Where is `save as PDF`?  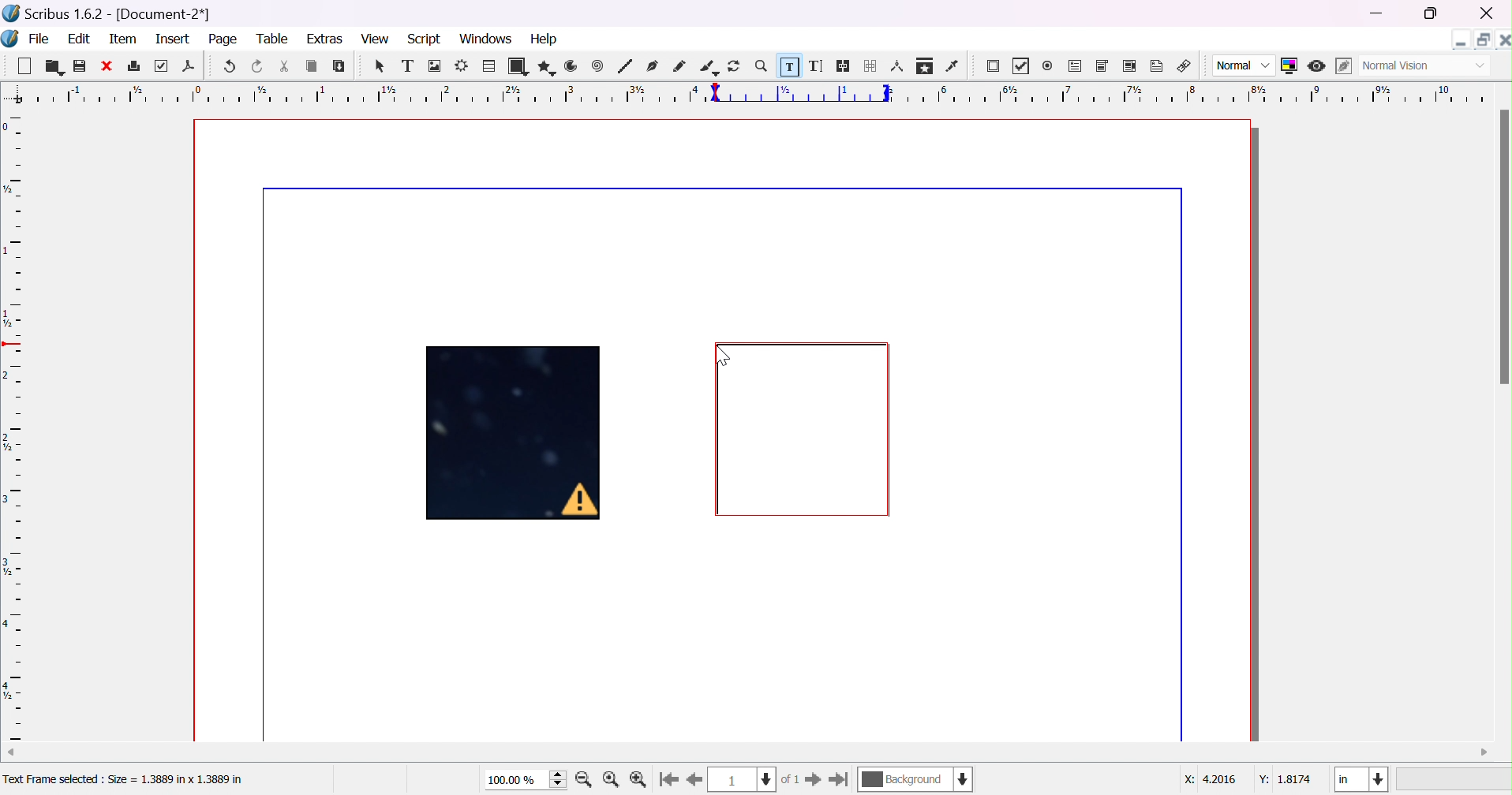 save as PDF is located at coordinates (188, 68).